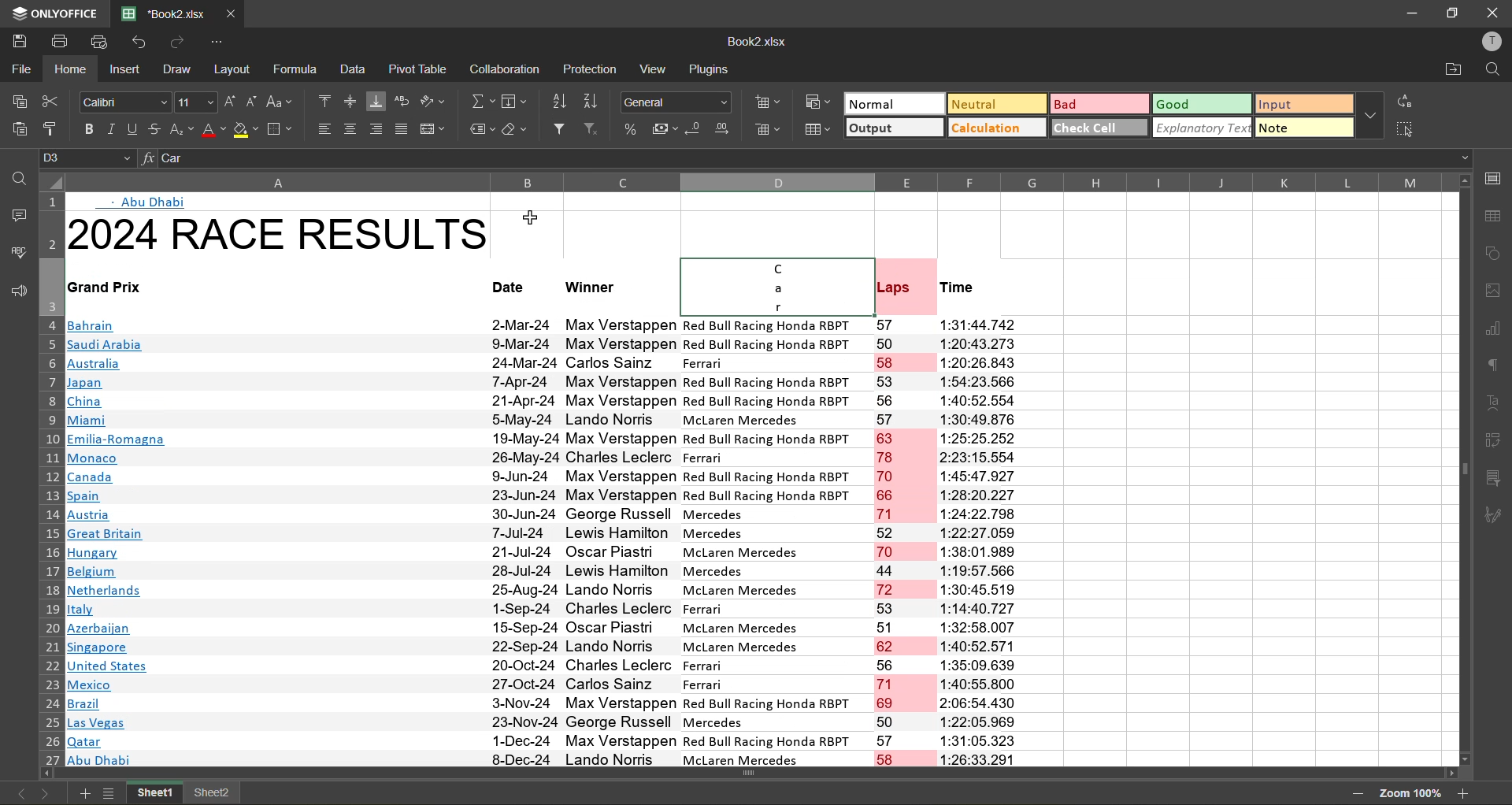  What do you see at coordinates (501, 282) in the screenshot?
I see `Winner` at bounding box center [501, 282].